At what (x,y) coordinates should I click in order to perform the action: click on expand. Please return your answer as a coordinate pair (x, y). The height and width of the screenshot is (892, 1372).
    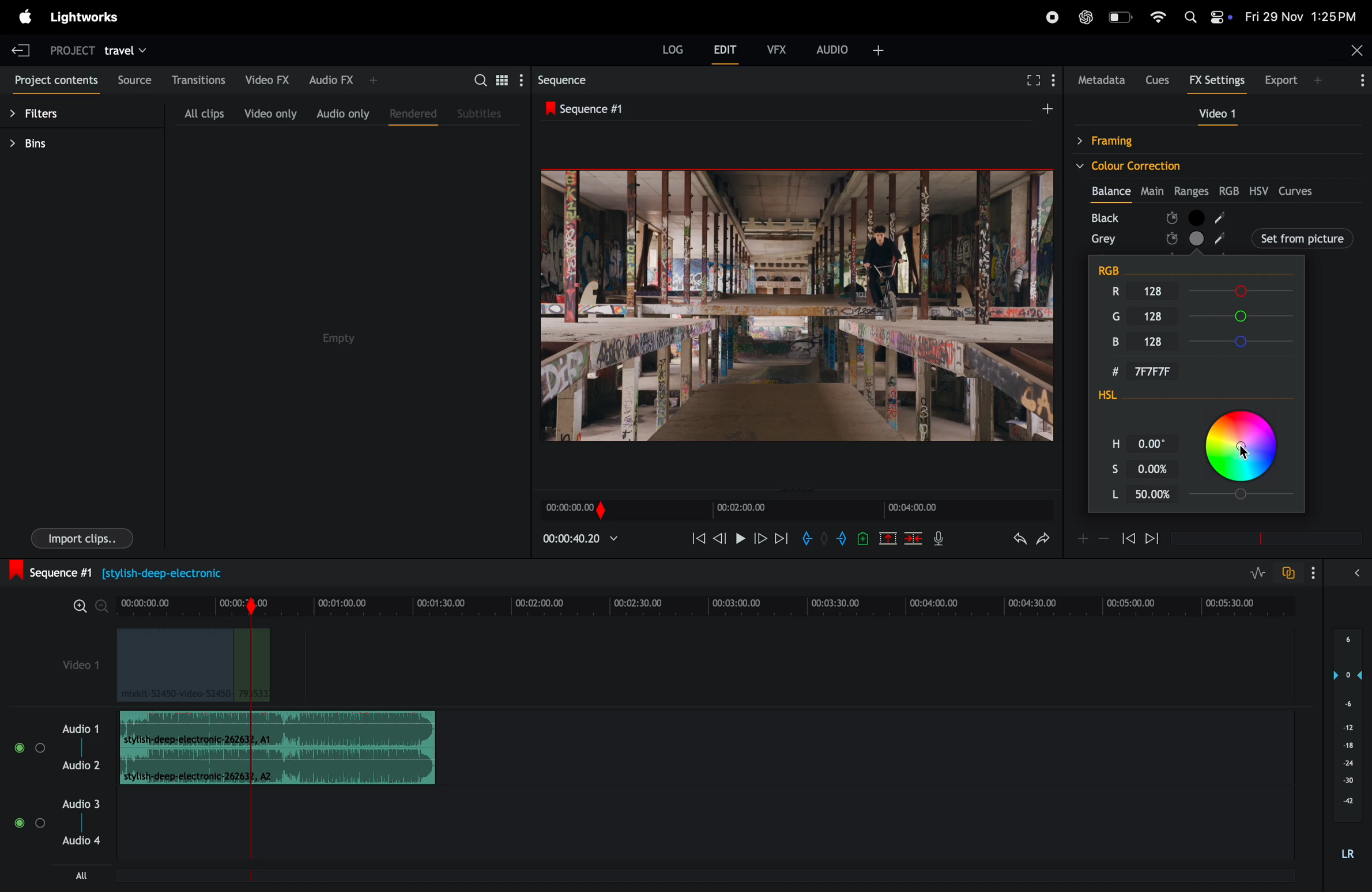
    Looking at the image, I should click on (1356, 573).